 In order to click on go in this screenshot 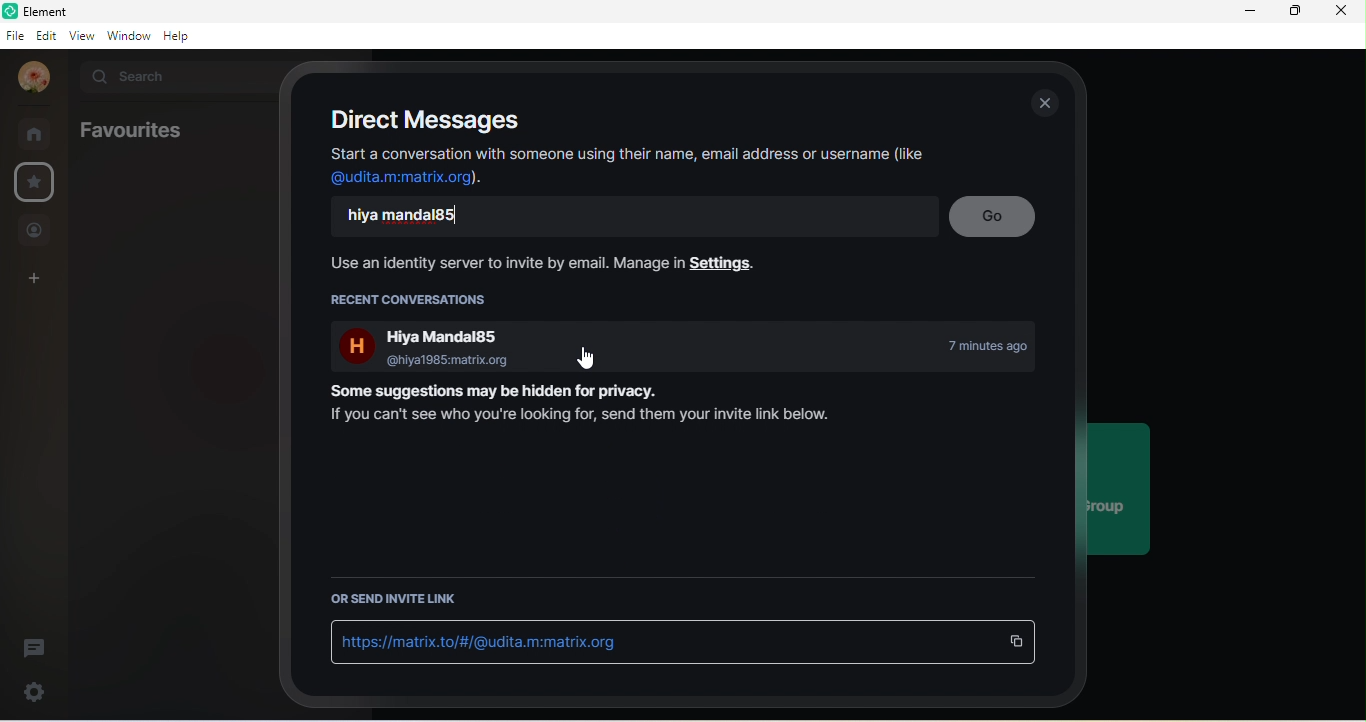, I will do `click(993, 217)`.